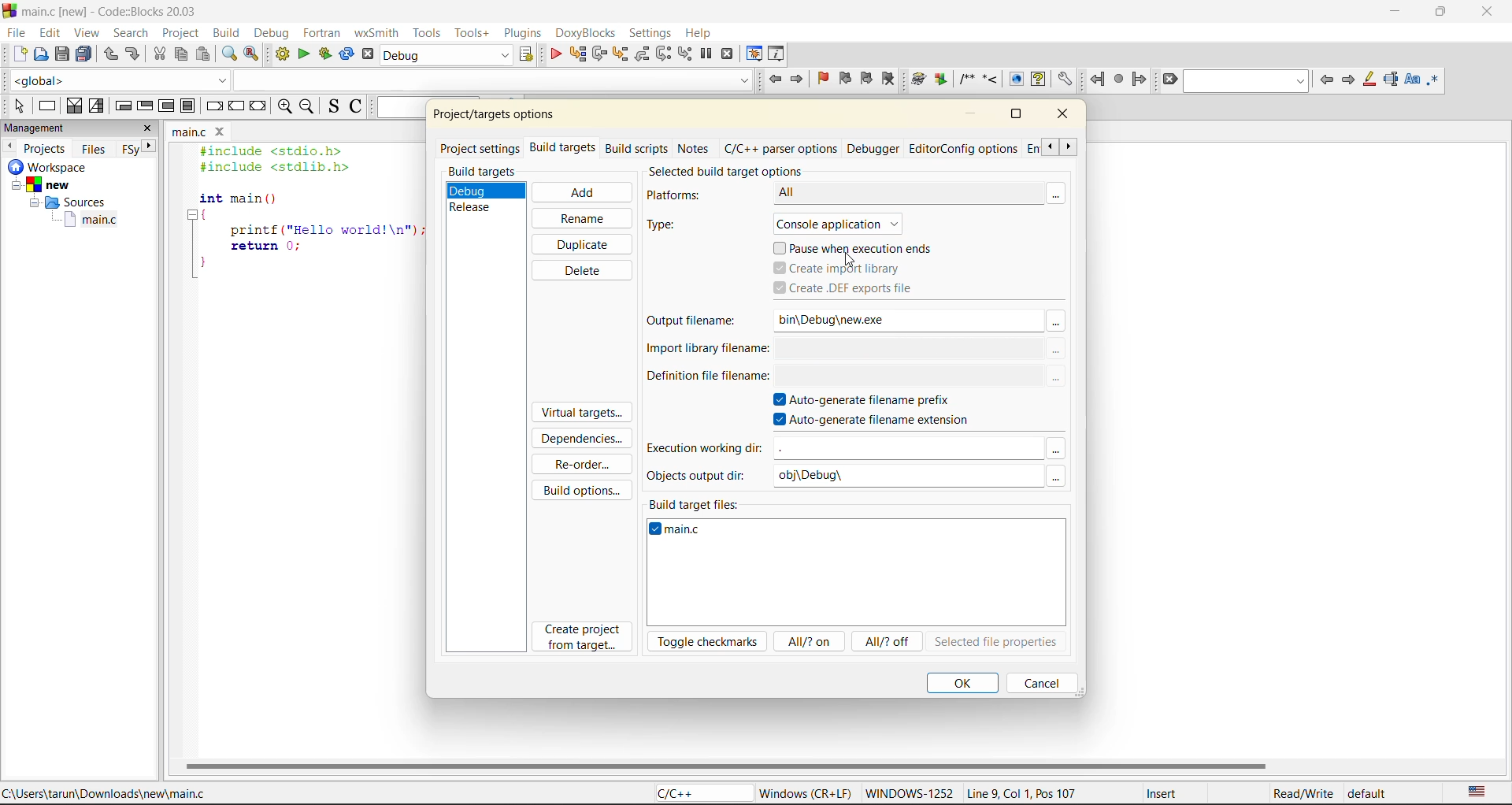 The width and height of the screenshot is (1512, 805). Describe the element at coordinates (1063, 192) in the screenshot. I see `More` at that location.